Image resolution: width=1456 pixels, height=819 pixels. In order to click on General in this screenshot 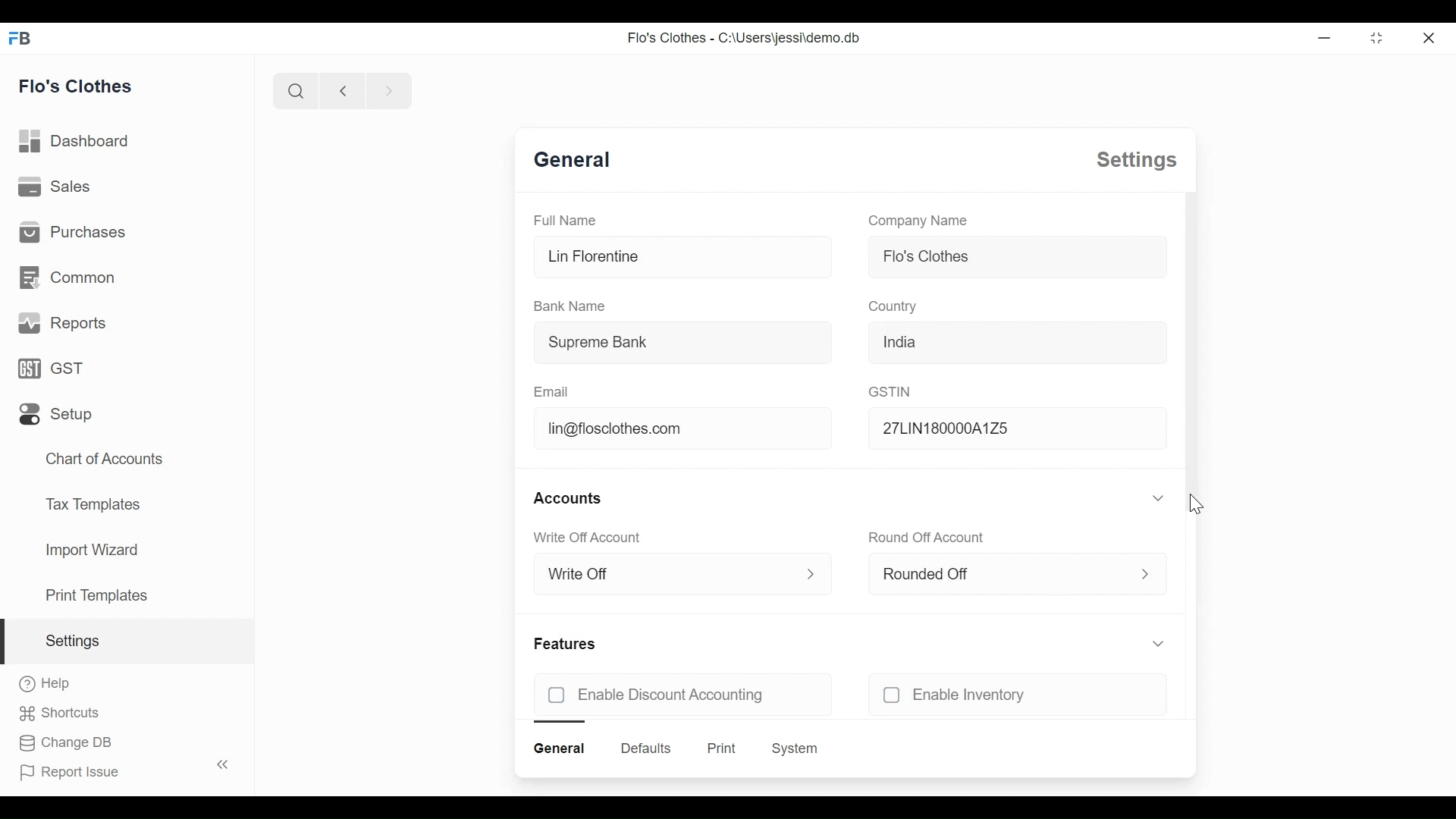, I will do `click(580, 162)`.